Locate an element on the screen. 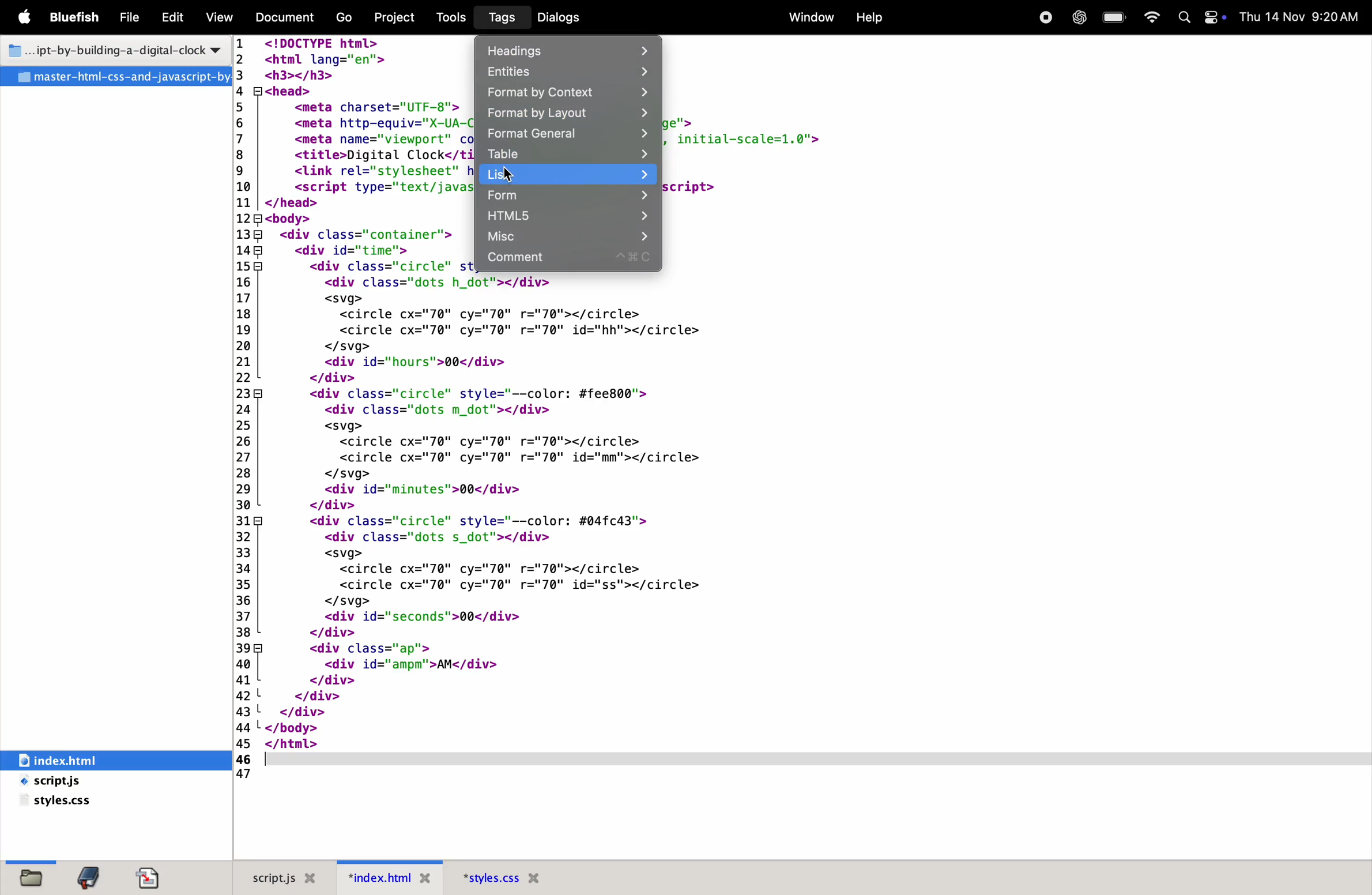  cursor is located at coordinates (508, 175).